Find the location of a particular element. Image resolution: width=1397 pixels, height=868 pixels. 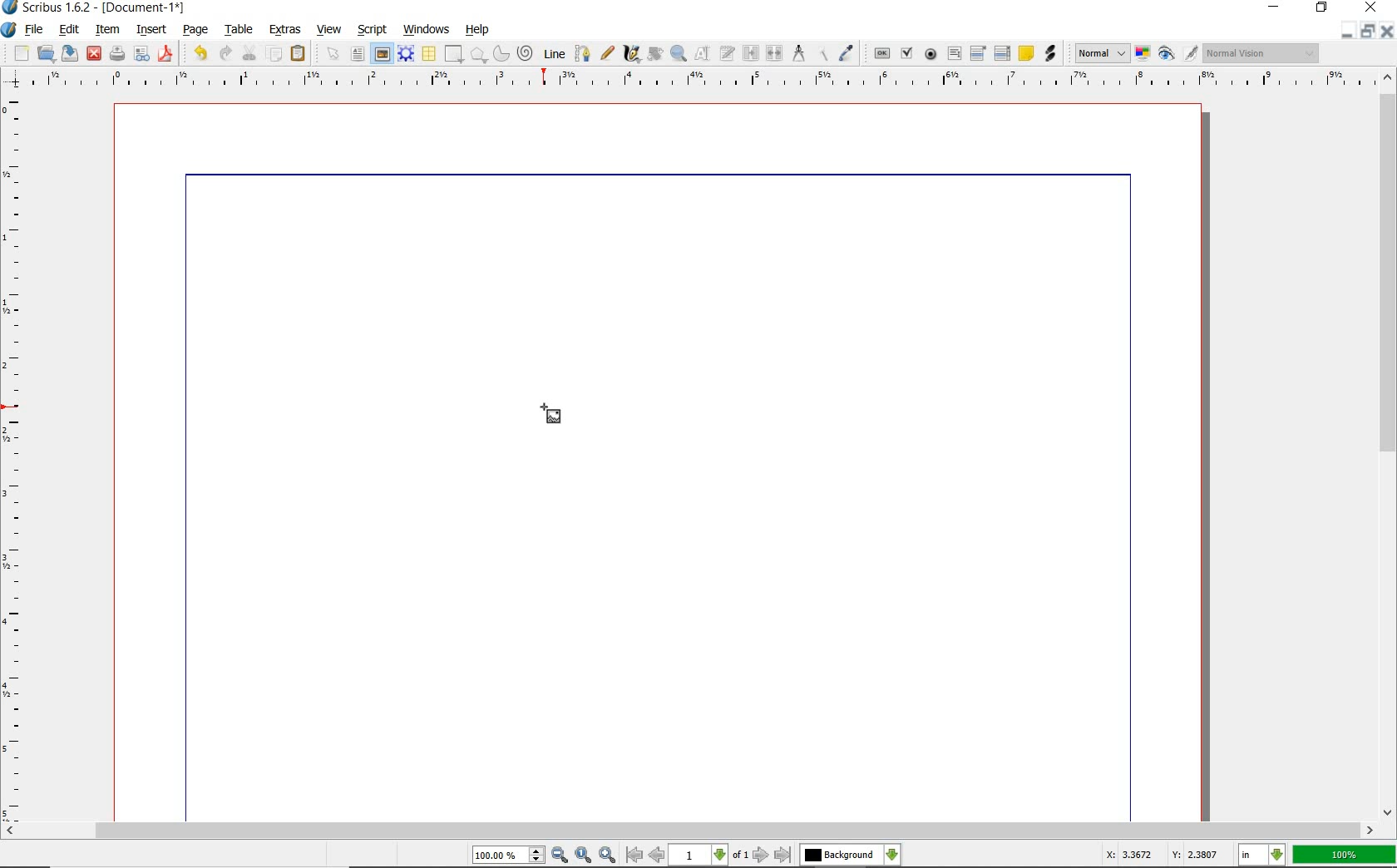

preflight verifier is located at coordinates (141, 55).